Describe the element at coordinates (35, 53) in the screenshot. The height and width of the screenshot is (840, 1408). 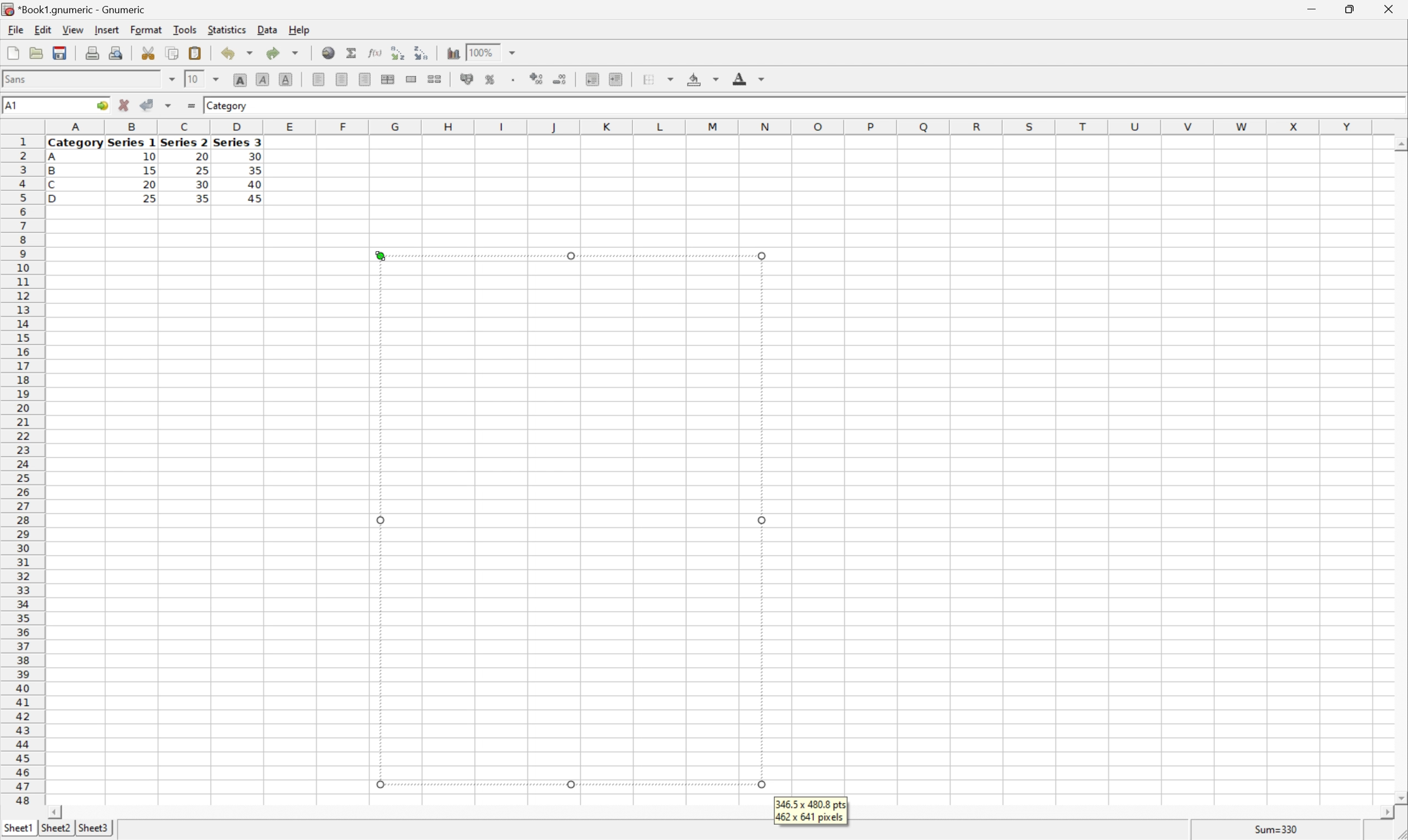
I see `Open a file` at that location.